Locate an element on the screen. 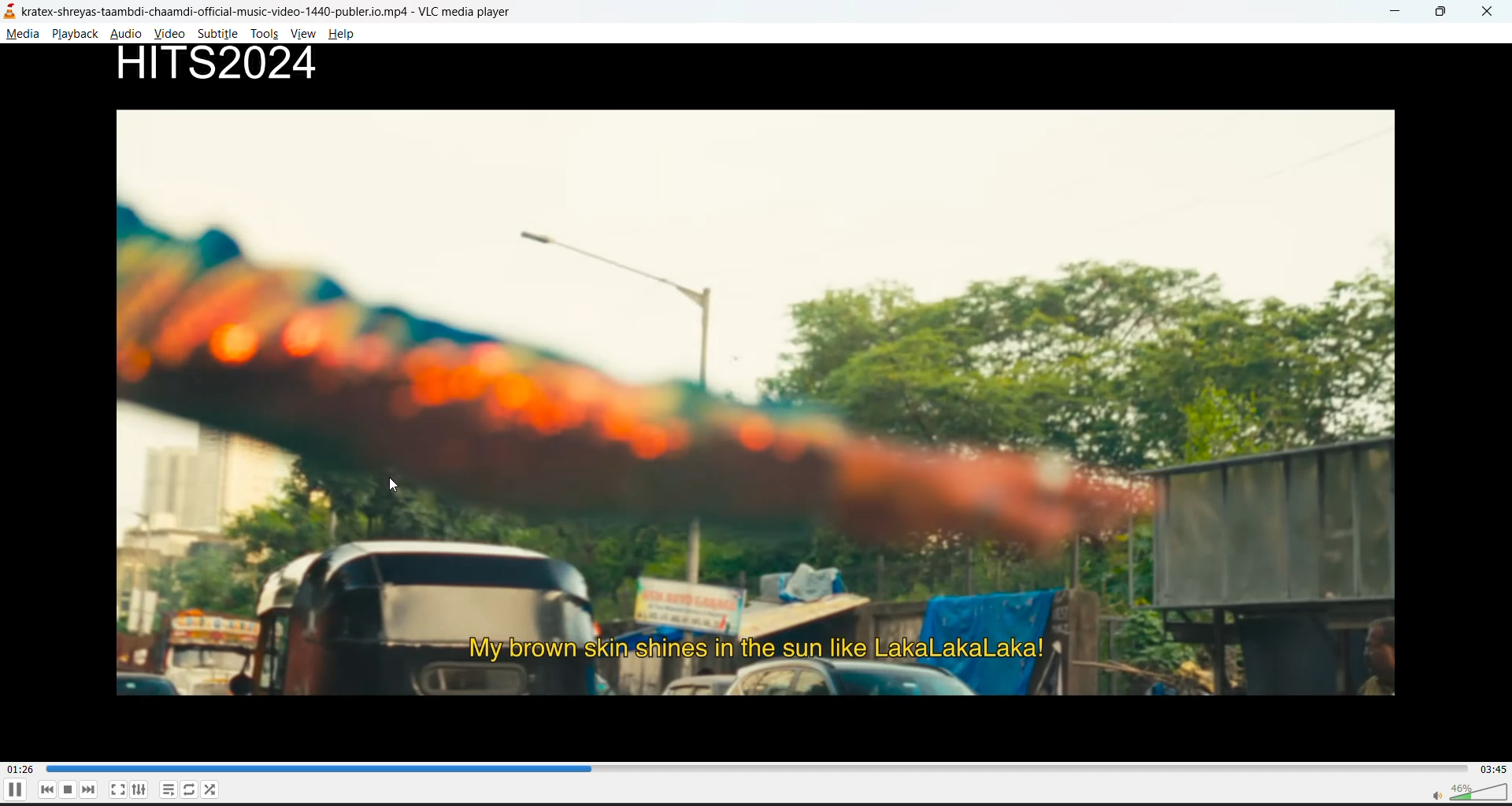 This screenshot has width=1512, height=806. settings is located at coordinates (141, 792).